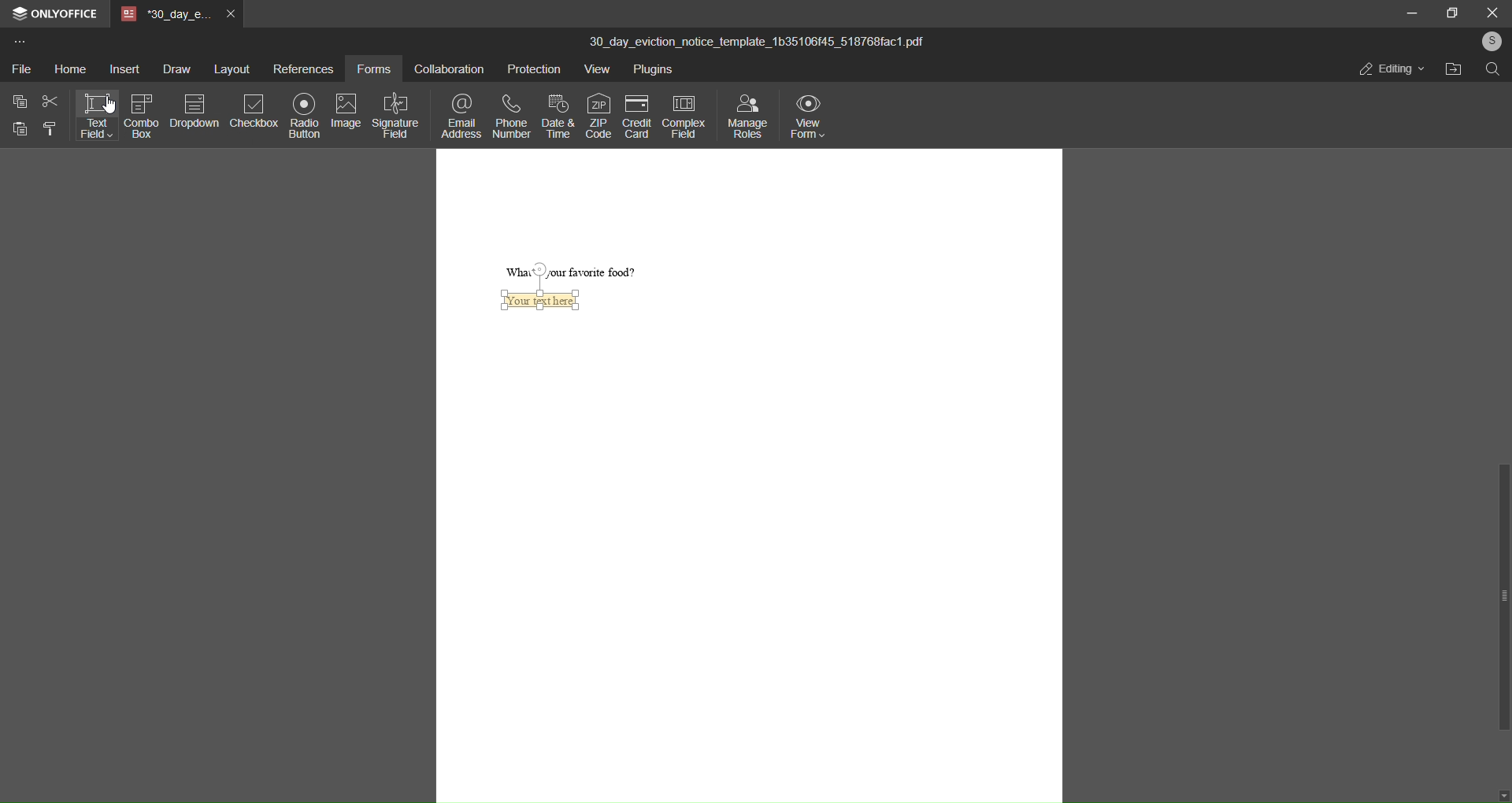  Describe the element at coordinates (750, 116) in the screenshot. I see `Manage Roles` at that location.